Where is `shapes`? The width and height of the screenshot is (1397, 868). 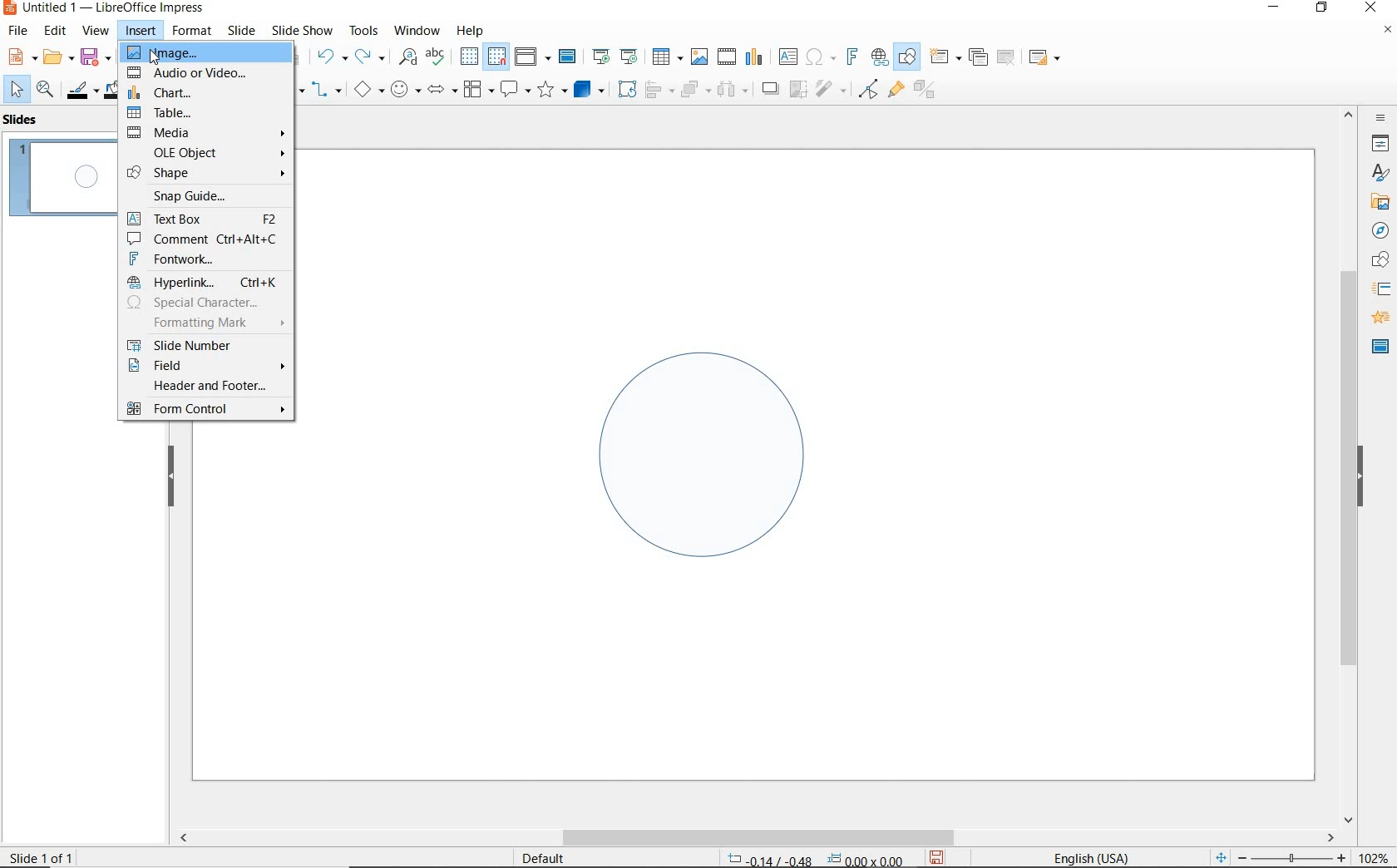 shapes is located at coordinates (1378, 260).